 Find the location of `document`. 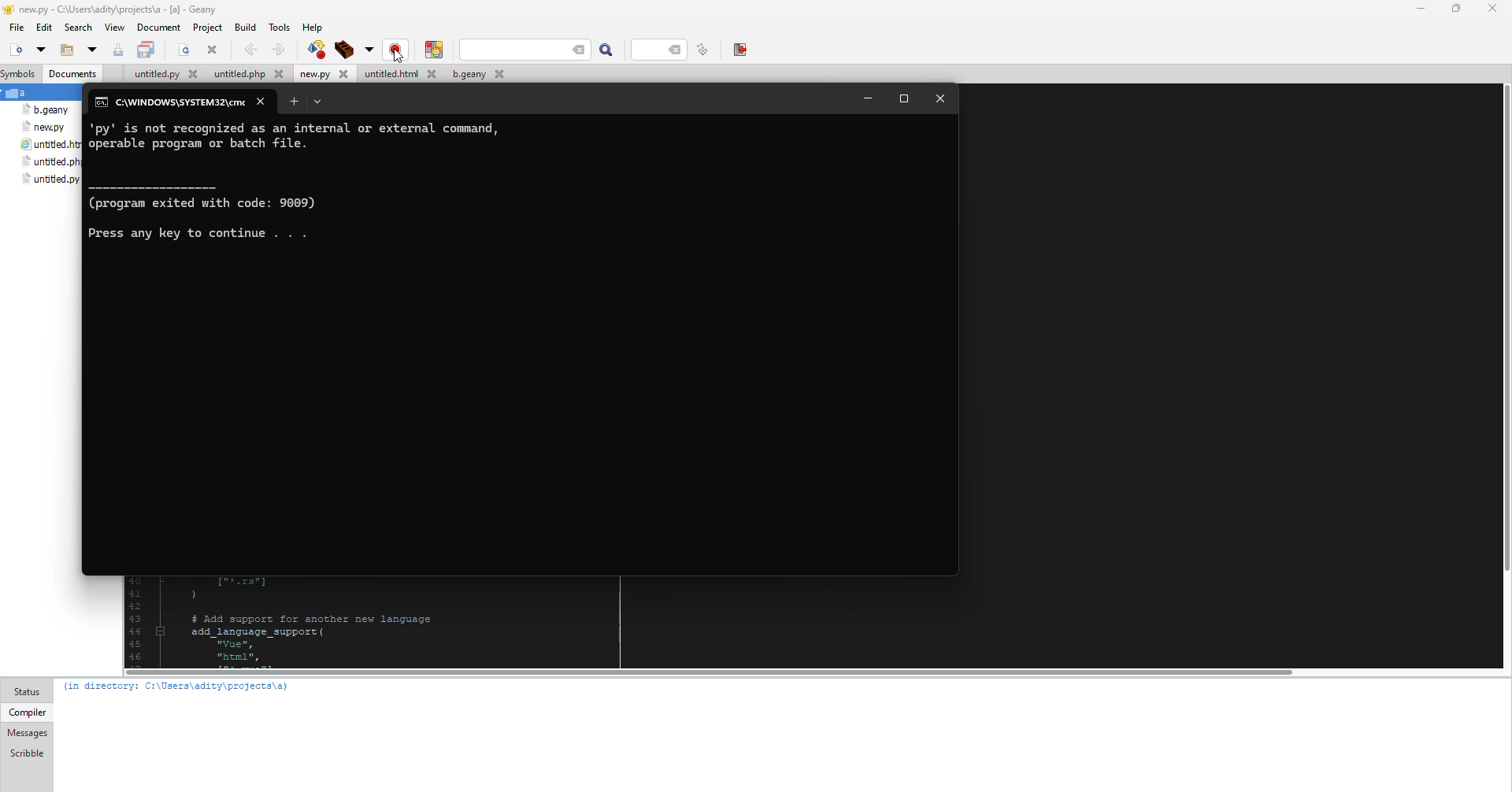

document is located at coordinates (75, 76).